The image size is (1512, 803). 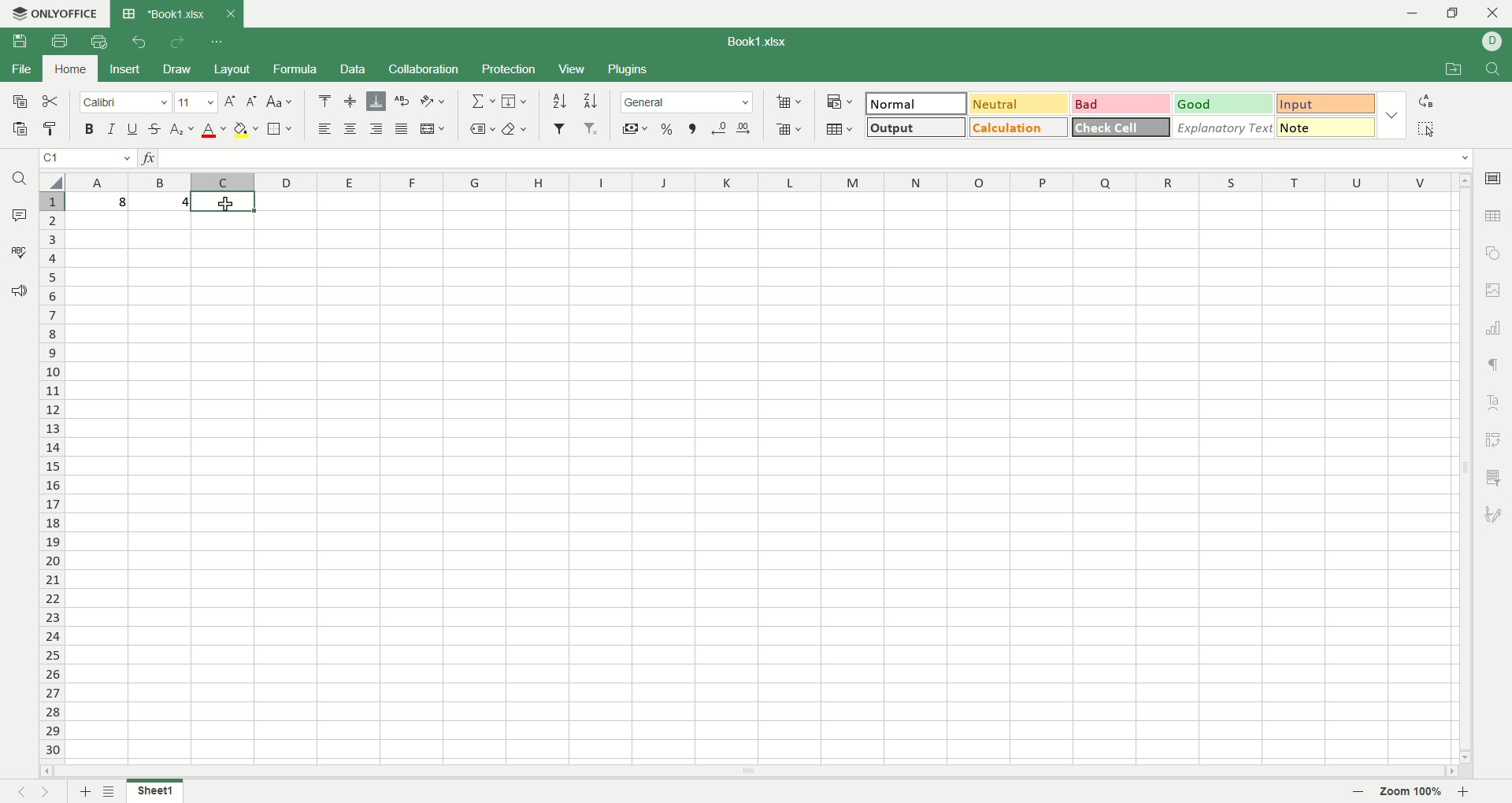 I want to click on remove cell, so click(x=790, y=129).